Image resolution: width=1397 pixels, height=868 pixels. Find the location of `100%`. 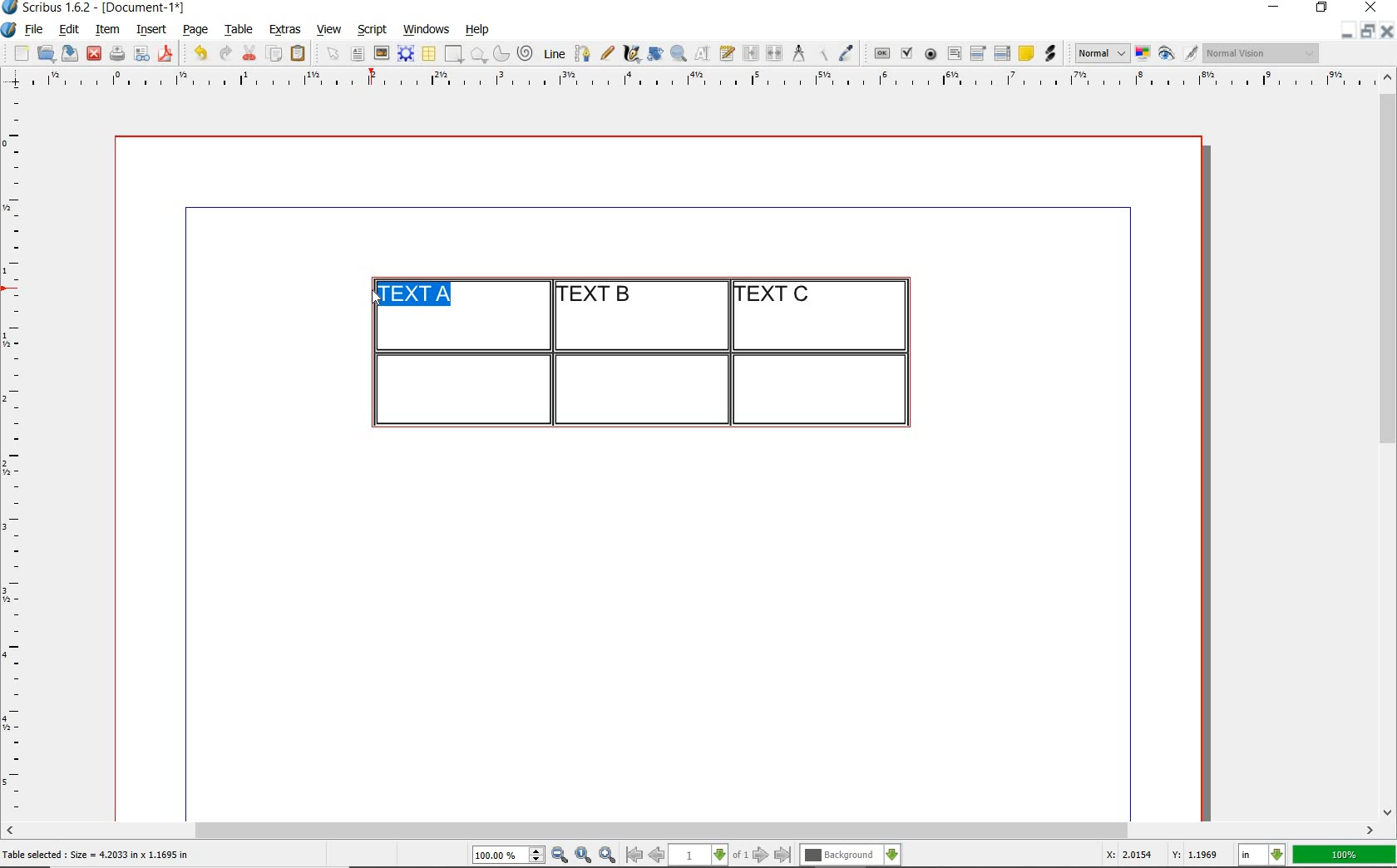

100% is located at coordinates (1345, 855).